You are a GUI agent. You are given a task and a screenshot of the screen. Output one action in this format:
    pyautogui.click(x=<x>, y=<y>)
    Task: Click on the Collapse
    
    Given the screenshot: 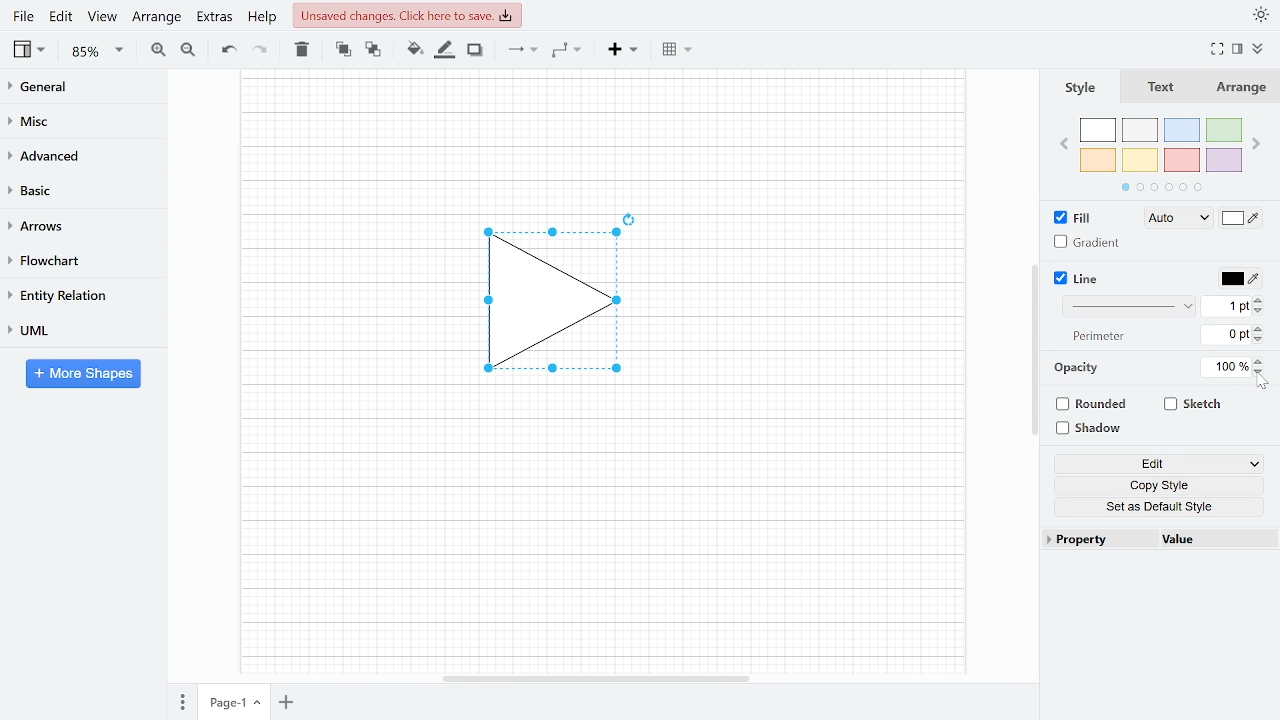 What is the action you would take?
    pyautogui.click(x=1265, y=51)
    